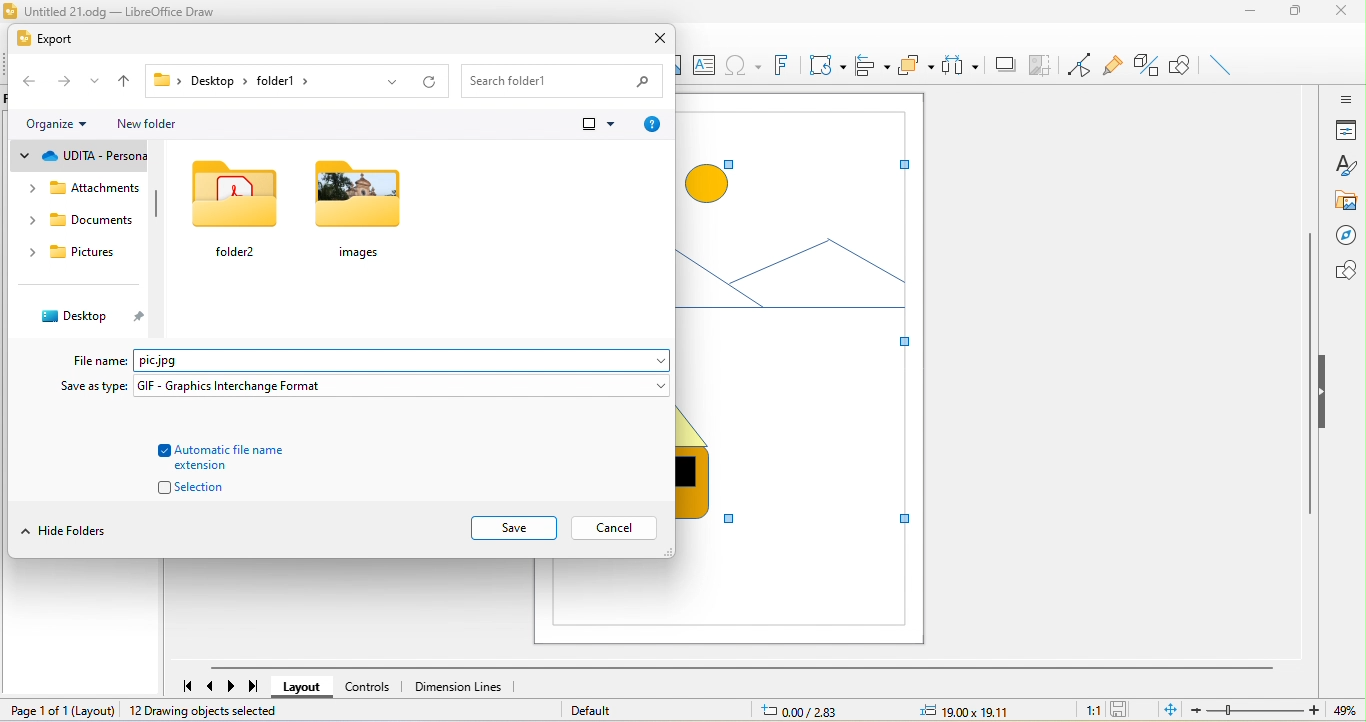 The image size is (1366, 722). What do you see at coordinates (241, 210) in the screenshot?
I see `folder` at bounding box center [241, 210].